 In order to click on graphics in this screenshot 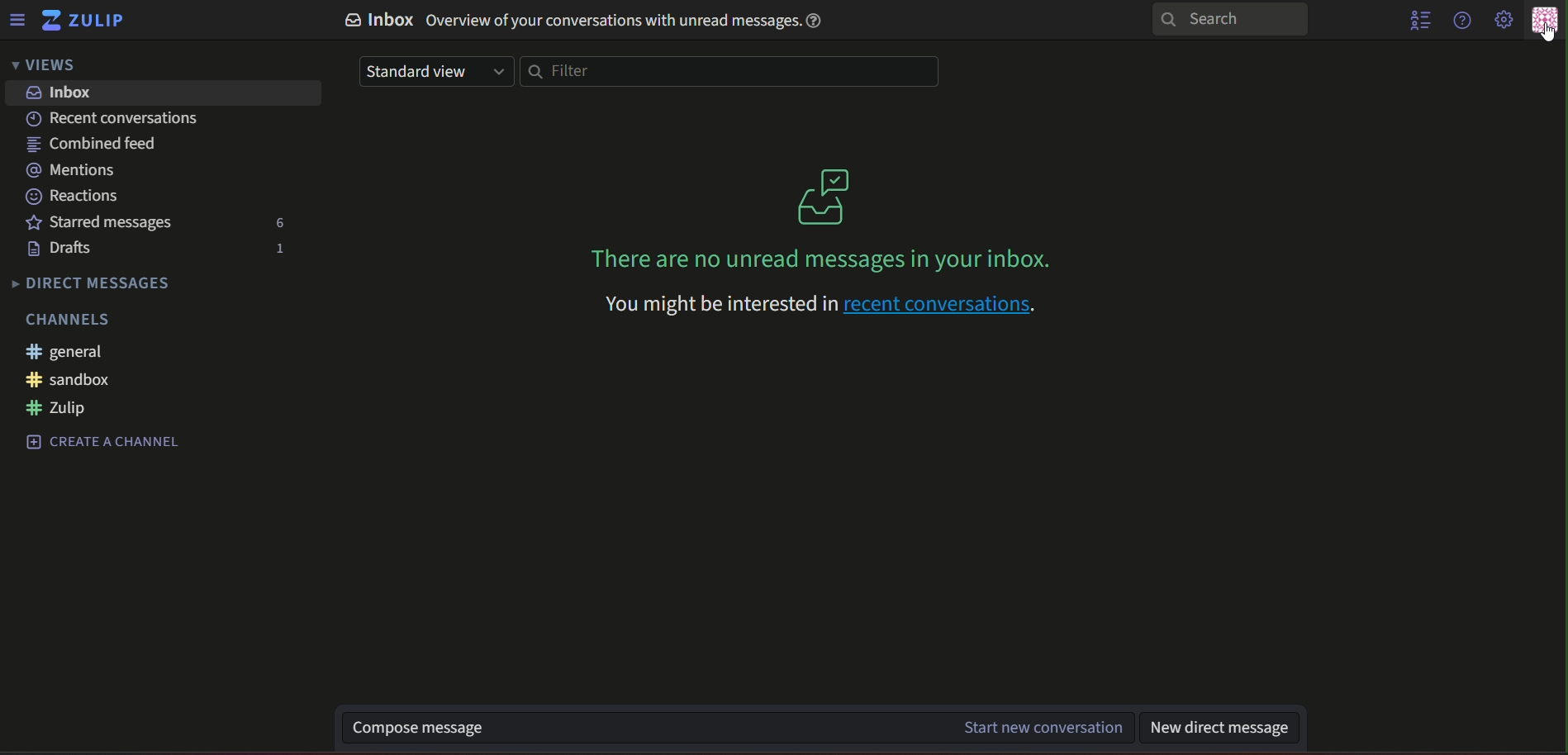, I will do `click(817, 192)`.